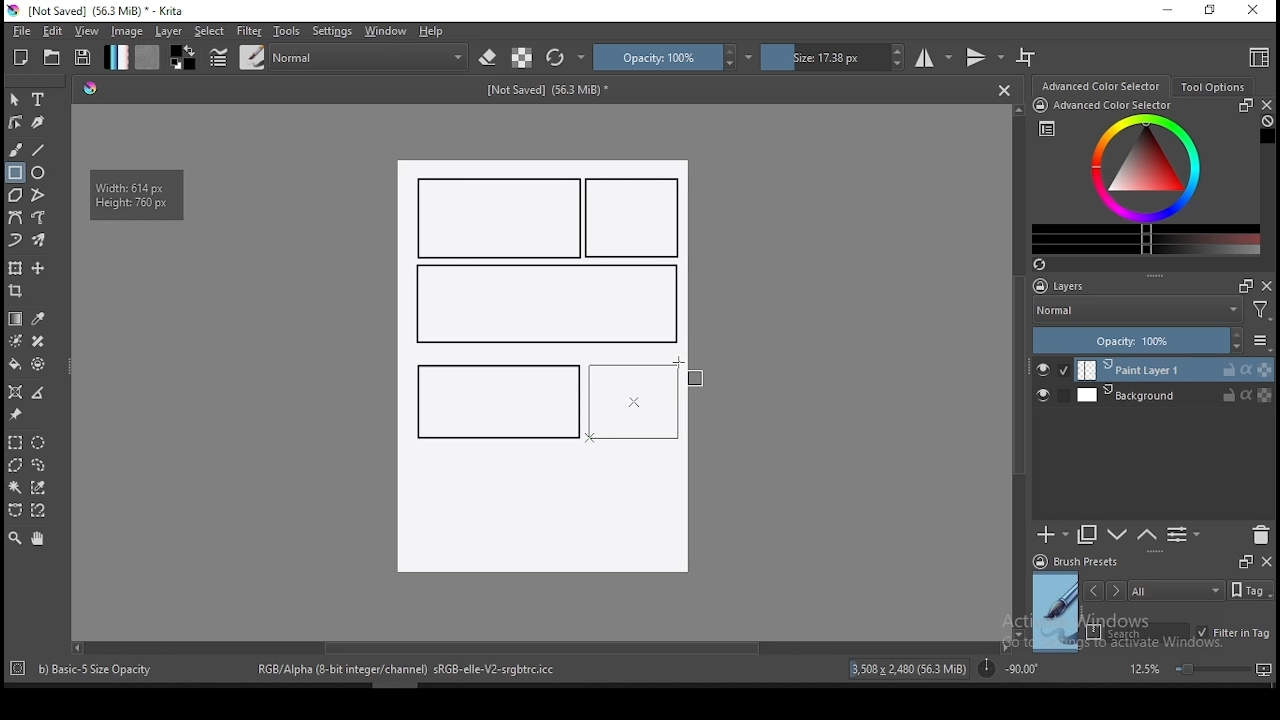 This screenshot has height=720, width=1280. Describe the element at coordinates (1176, 590) in the screenshot. I see `tags` at that location.